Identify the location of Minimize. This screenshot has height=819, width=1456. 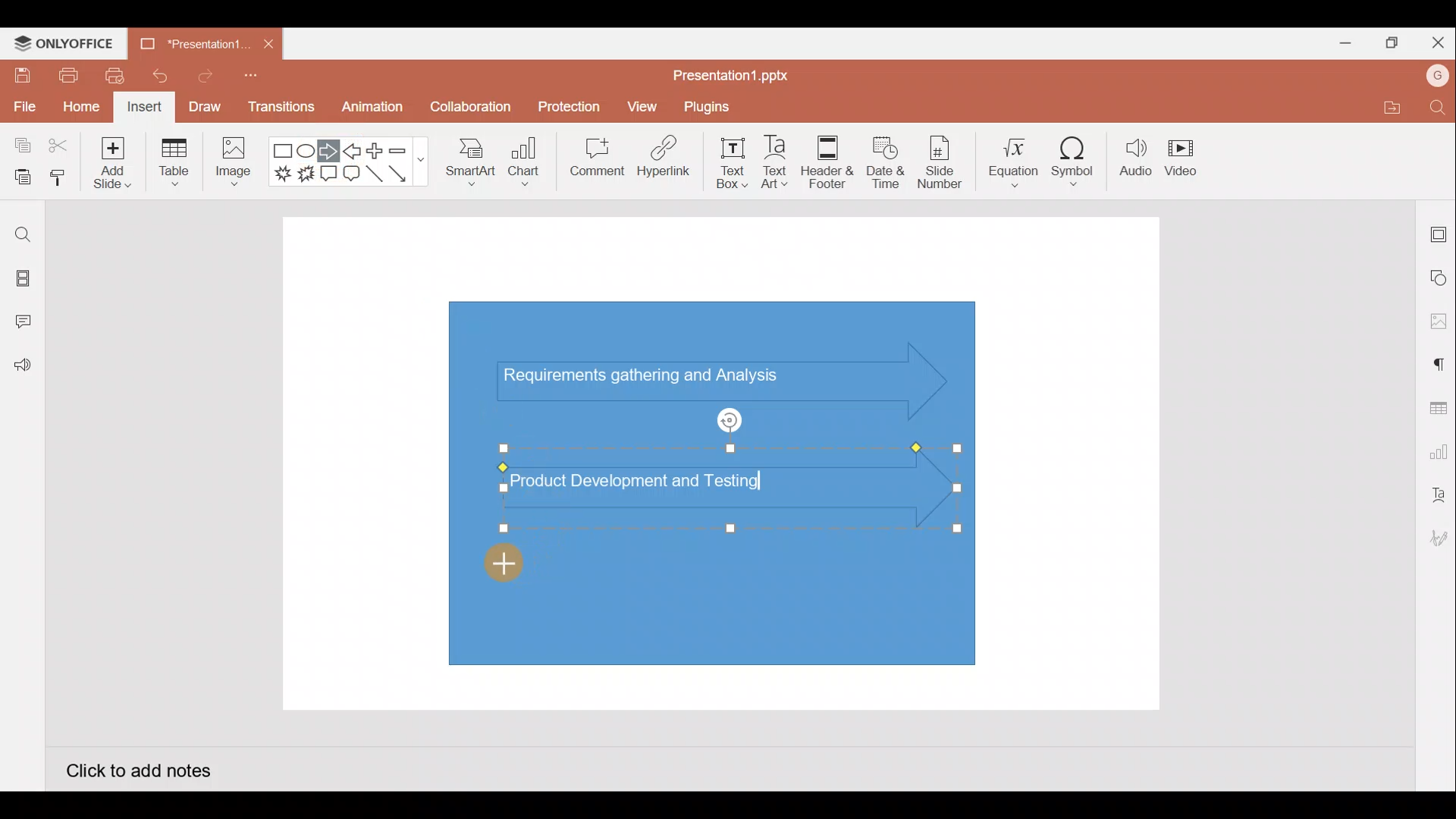
(1339, 40).